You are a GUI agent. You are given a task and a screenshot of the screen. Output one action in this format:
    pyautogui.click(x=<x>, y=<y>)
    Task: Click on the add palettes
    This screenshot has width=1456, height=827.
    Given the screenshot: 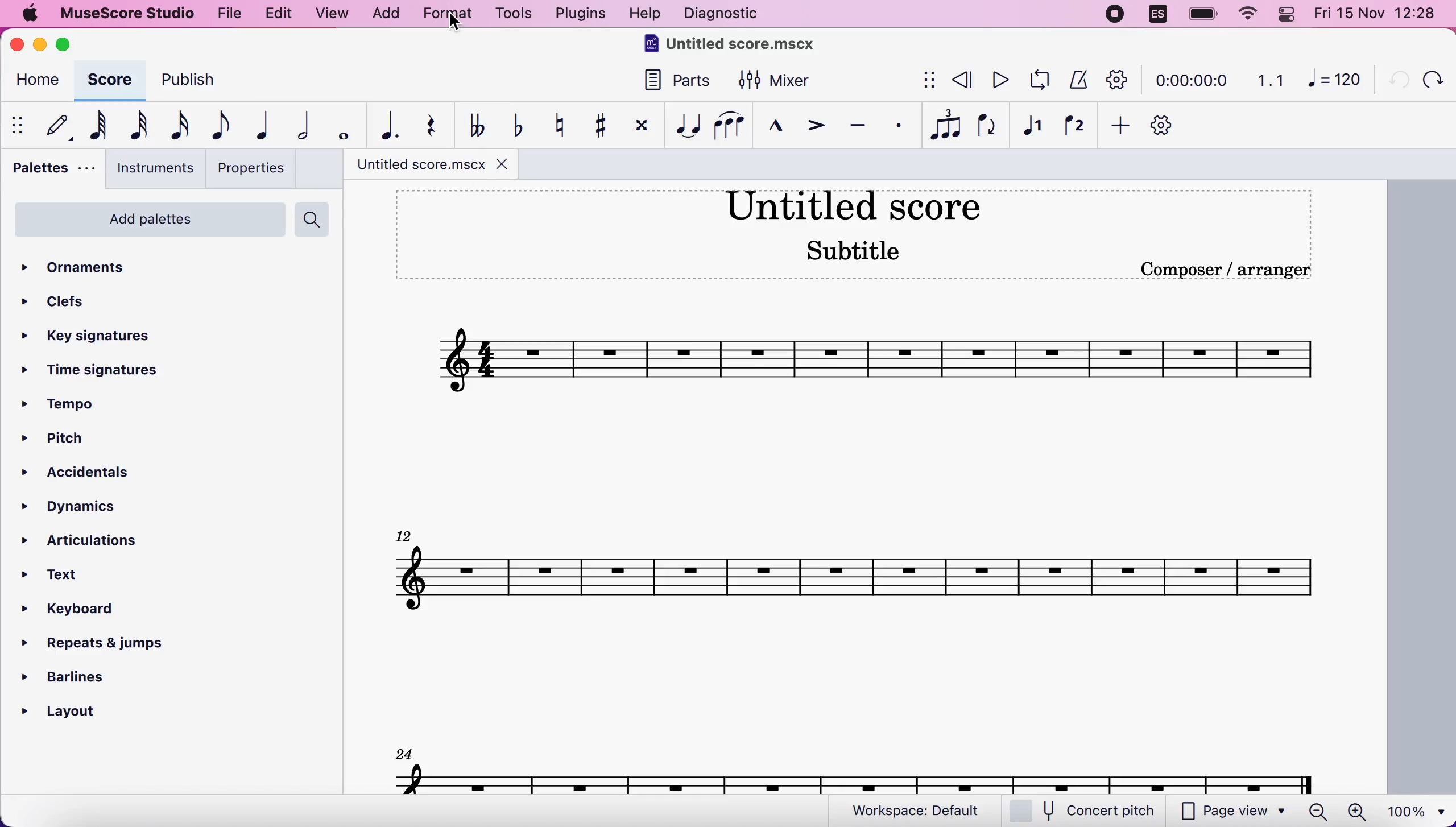 What is the action you would take?
    pyautogui.click(x=147, y=224)
    